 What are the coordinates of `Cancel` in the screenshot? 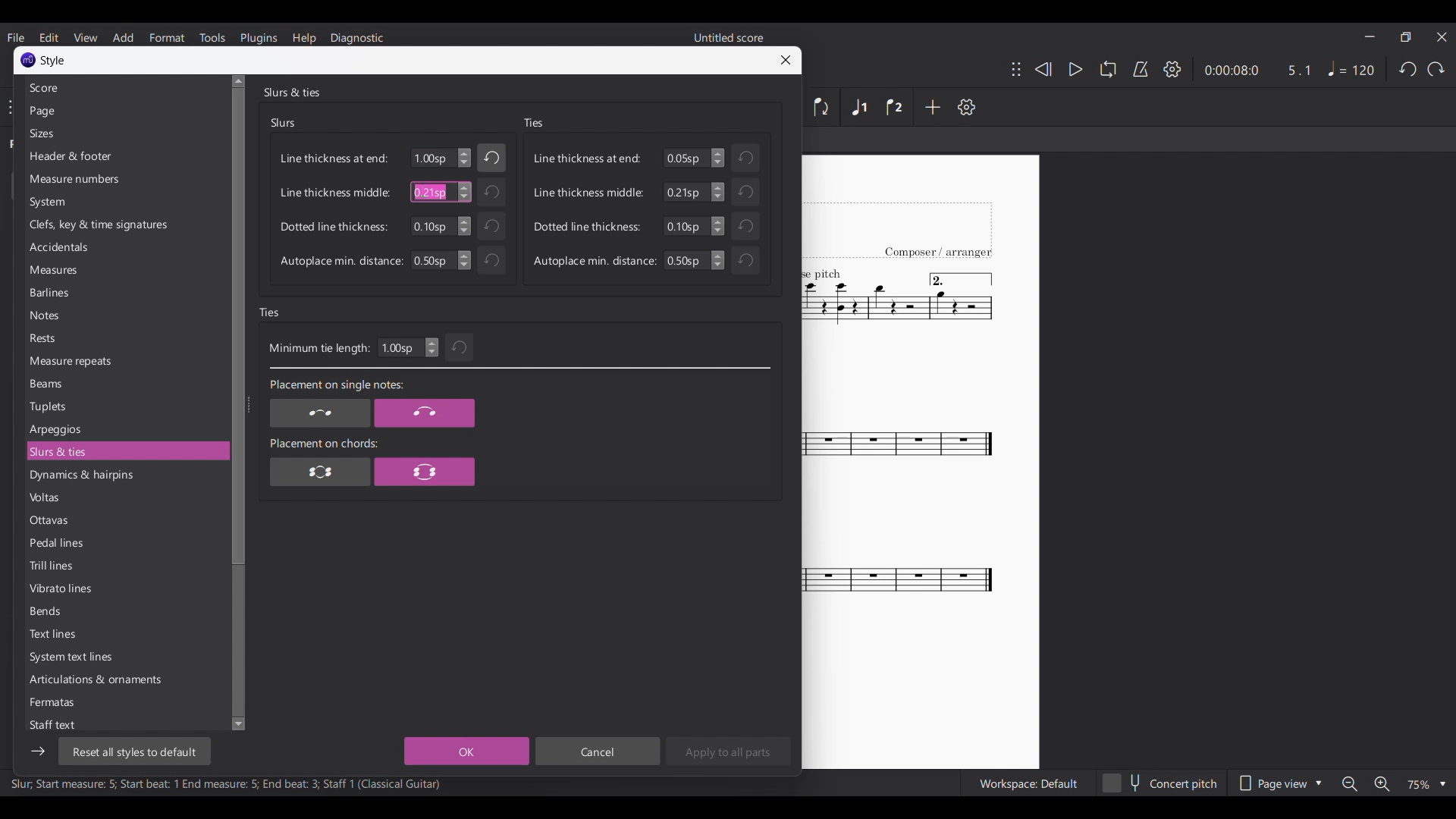 It's located at (597, 751).